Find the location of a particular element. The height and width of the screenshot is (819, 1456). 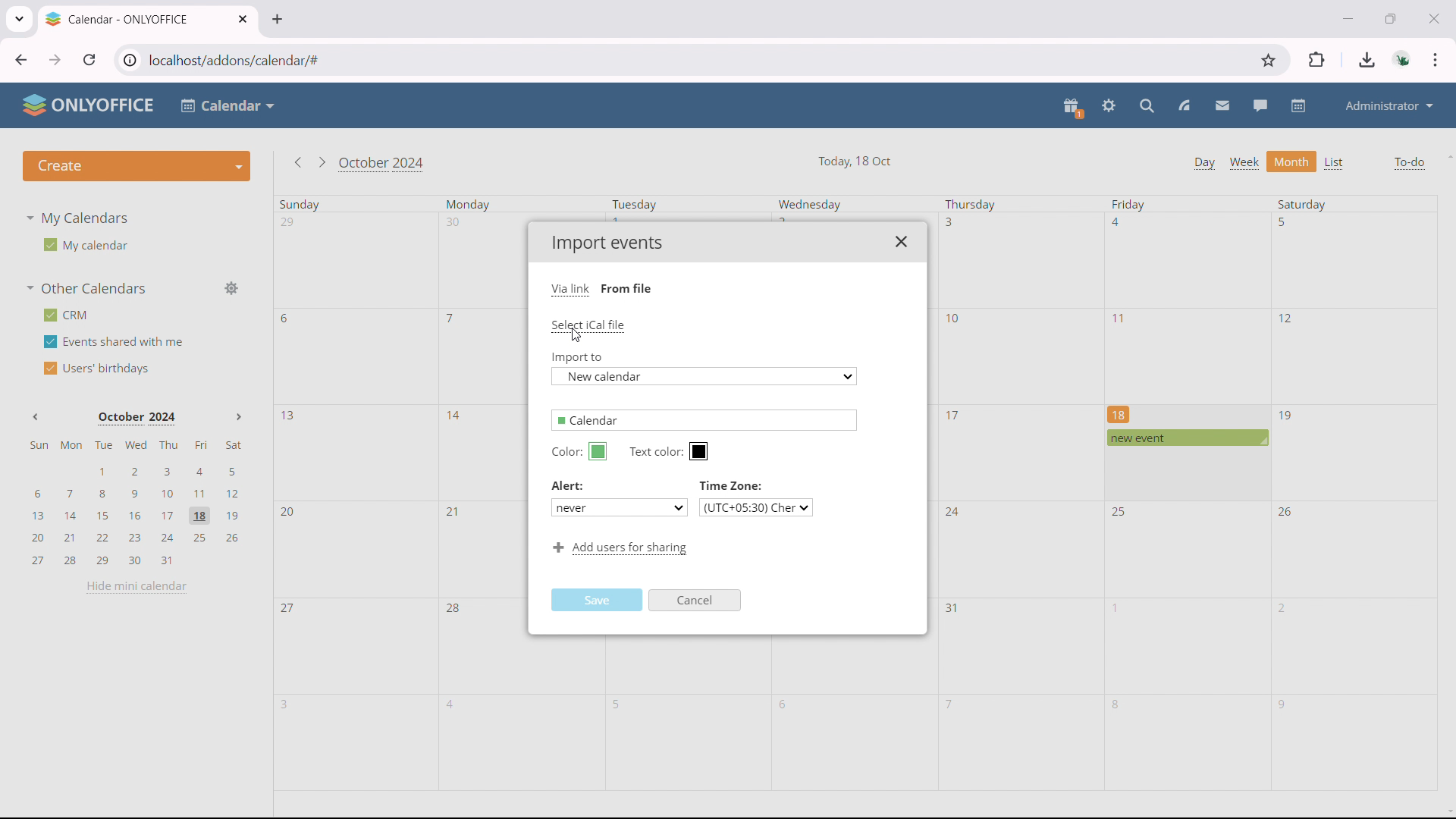

Time Zone: is located at coordinates (733, 485).